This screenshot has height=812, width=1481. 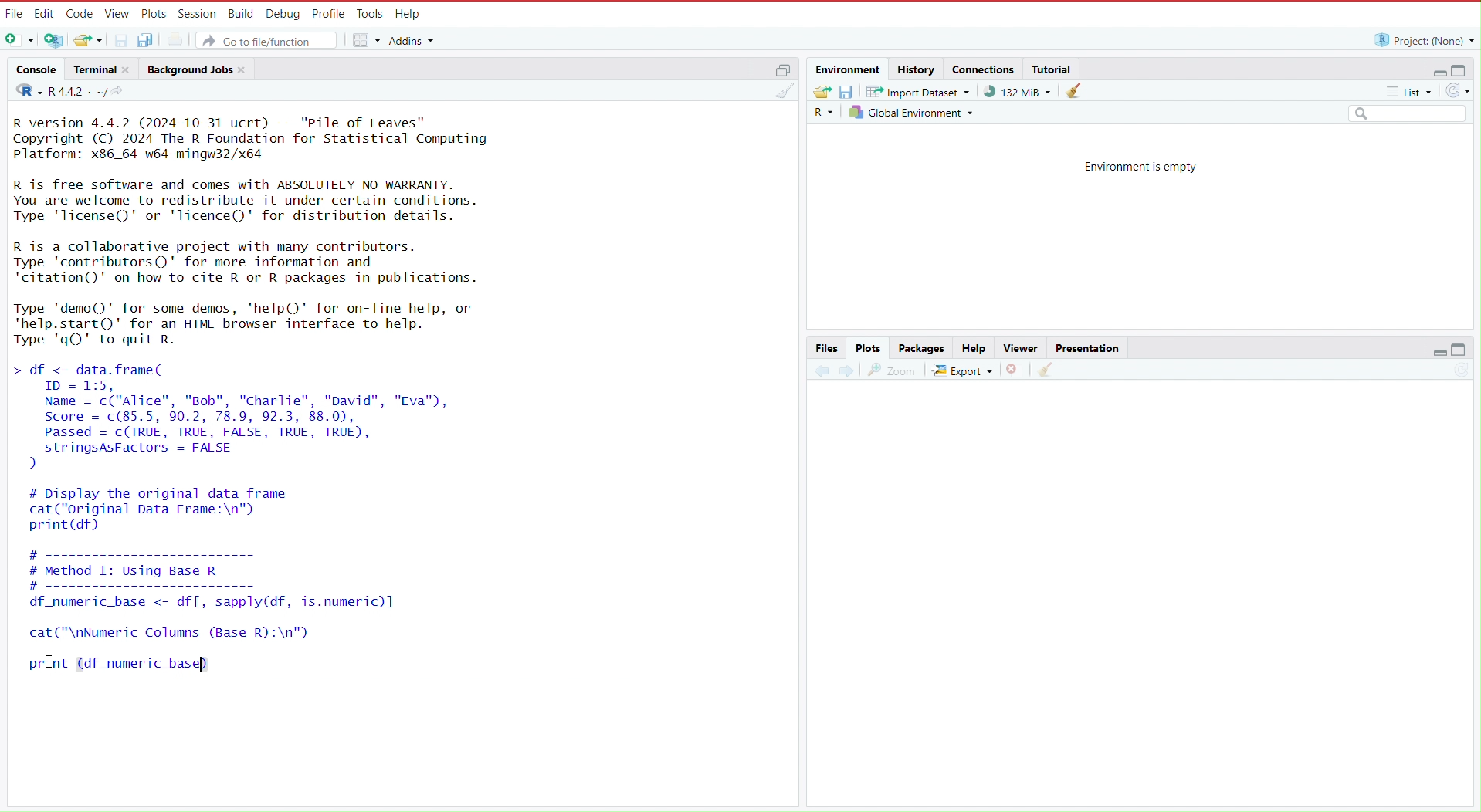 What do you see at coordinates (849, 67) in the screenshot?
I see `Environment` at bounding box center [849, 67].